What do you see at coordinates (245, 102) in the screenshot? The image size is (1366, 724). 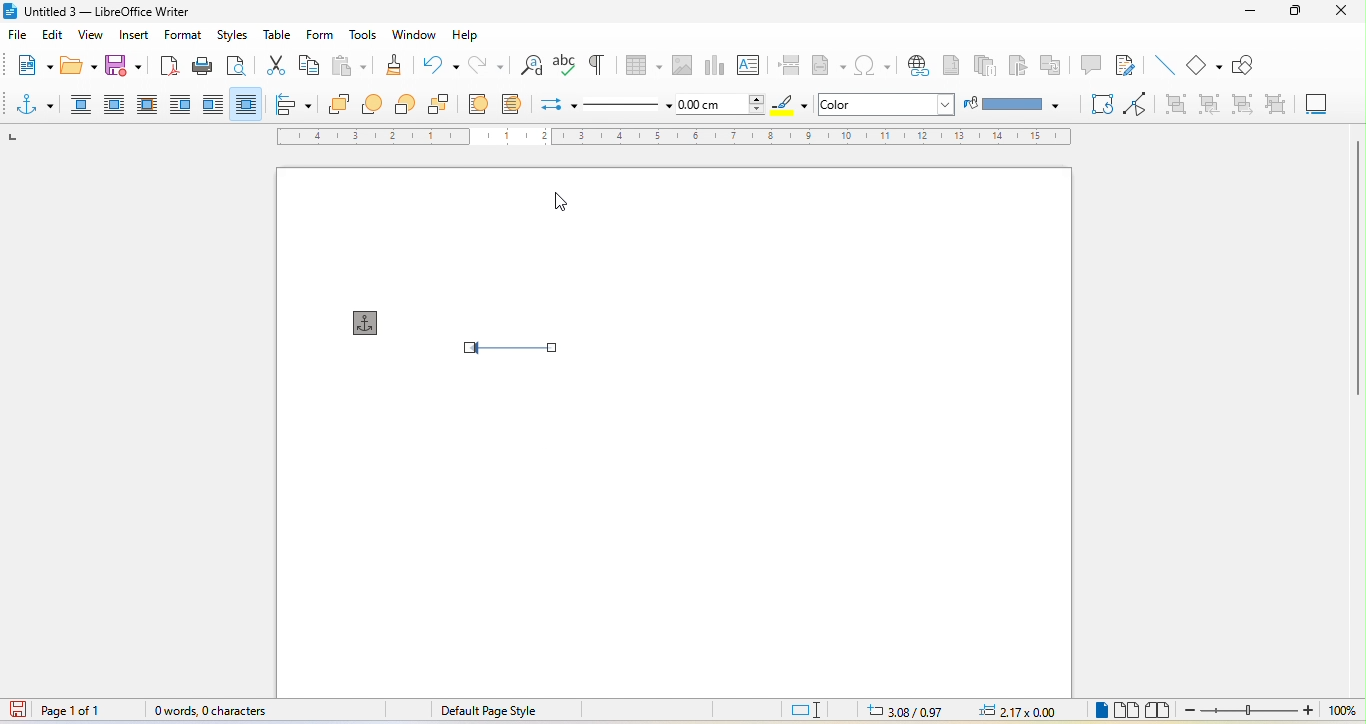 I see `through` at bounding box center [245, 102].